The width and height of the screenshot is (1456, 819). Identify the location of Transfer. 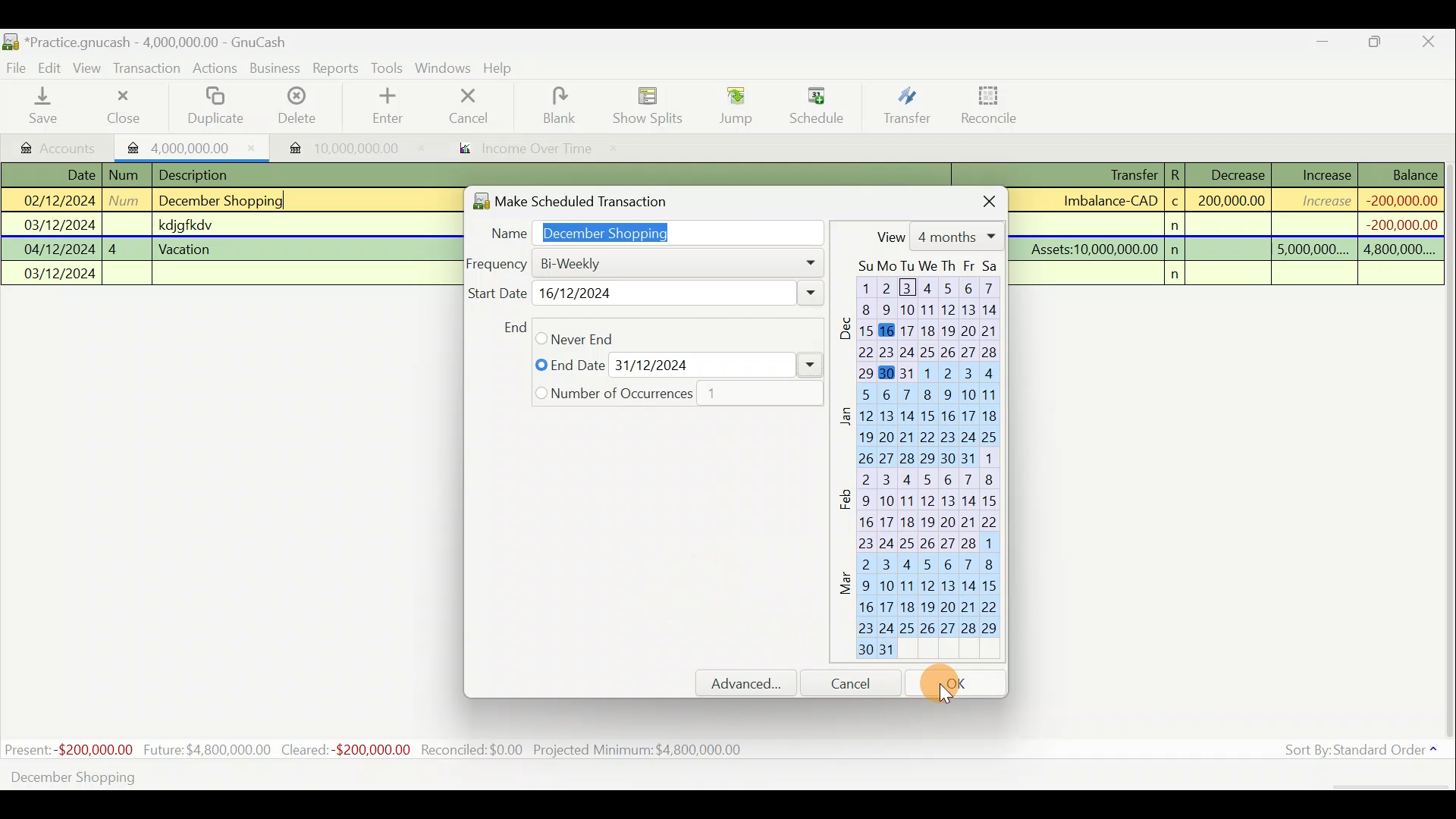
(907, 105).